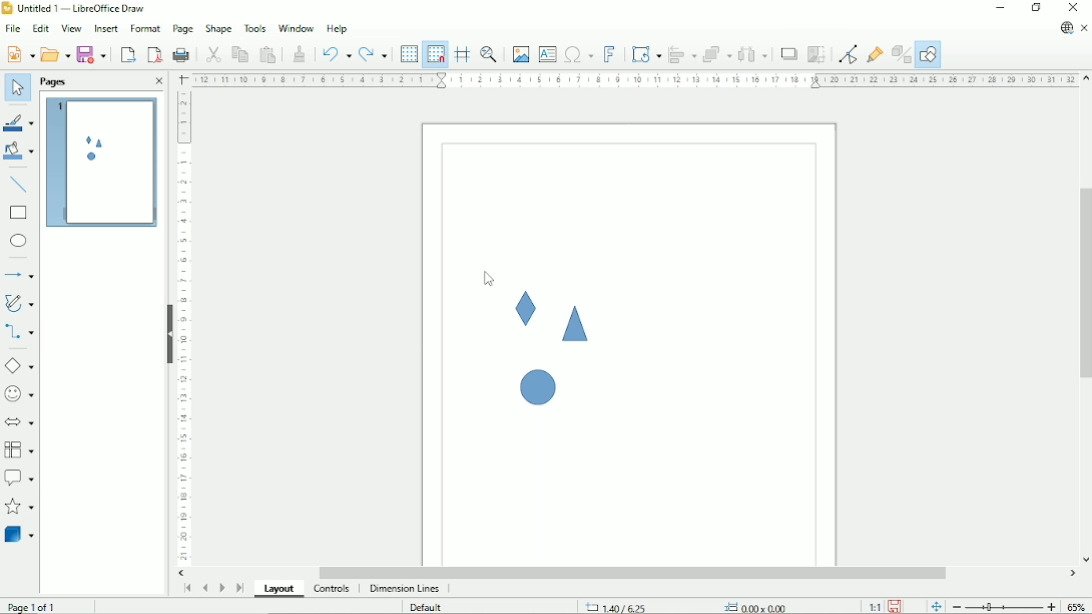 The height and width of the screenshot is (614, 1092). Describe the element at coordinates (19, 152) in the screenshot. I see `Fill color` at that location.